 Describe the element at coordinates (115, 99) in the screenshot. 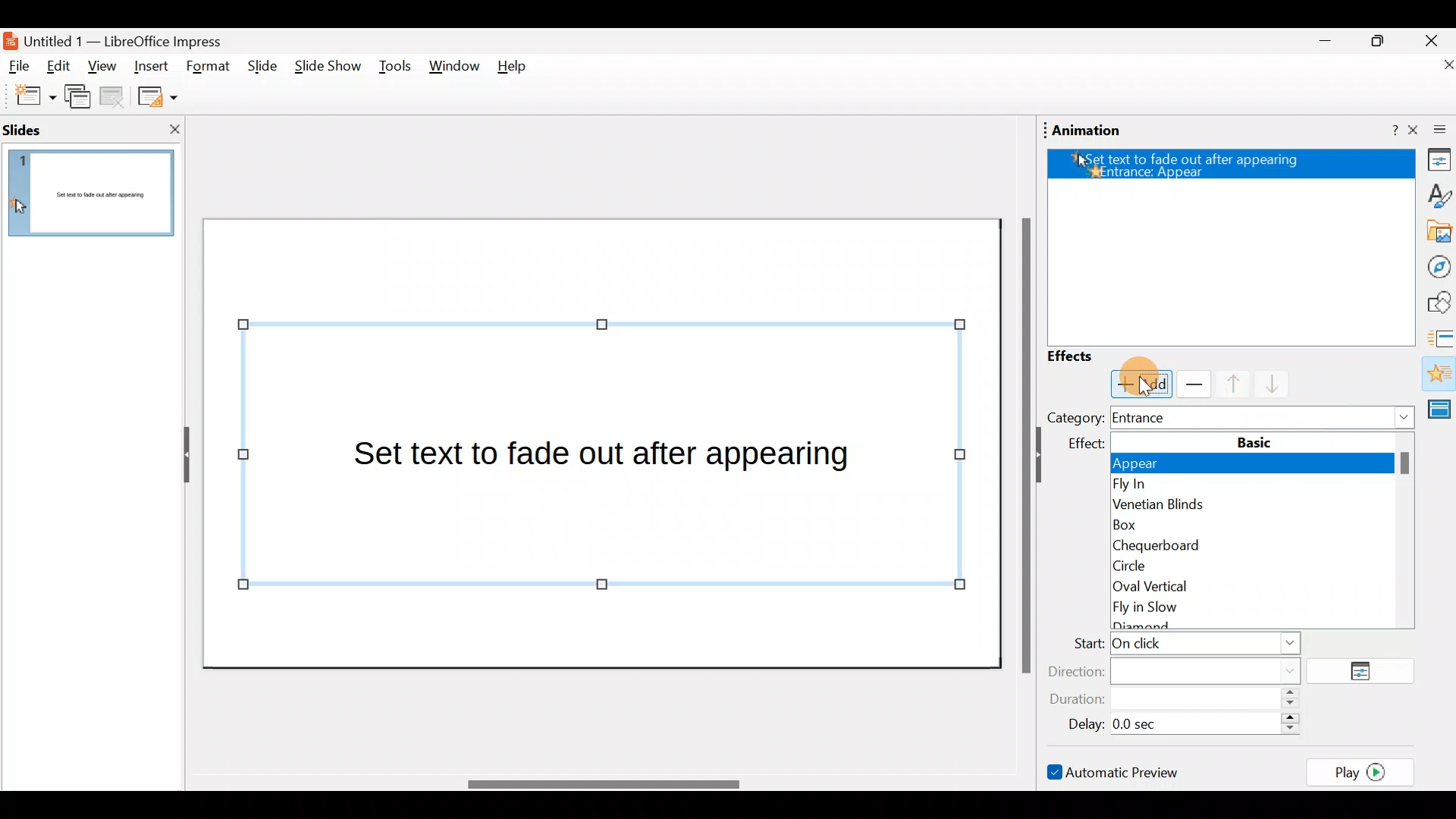

I see `Delete slide` at that location.